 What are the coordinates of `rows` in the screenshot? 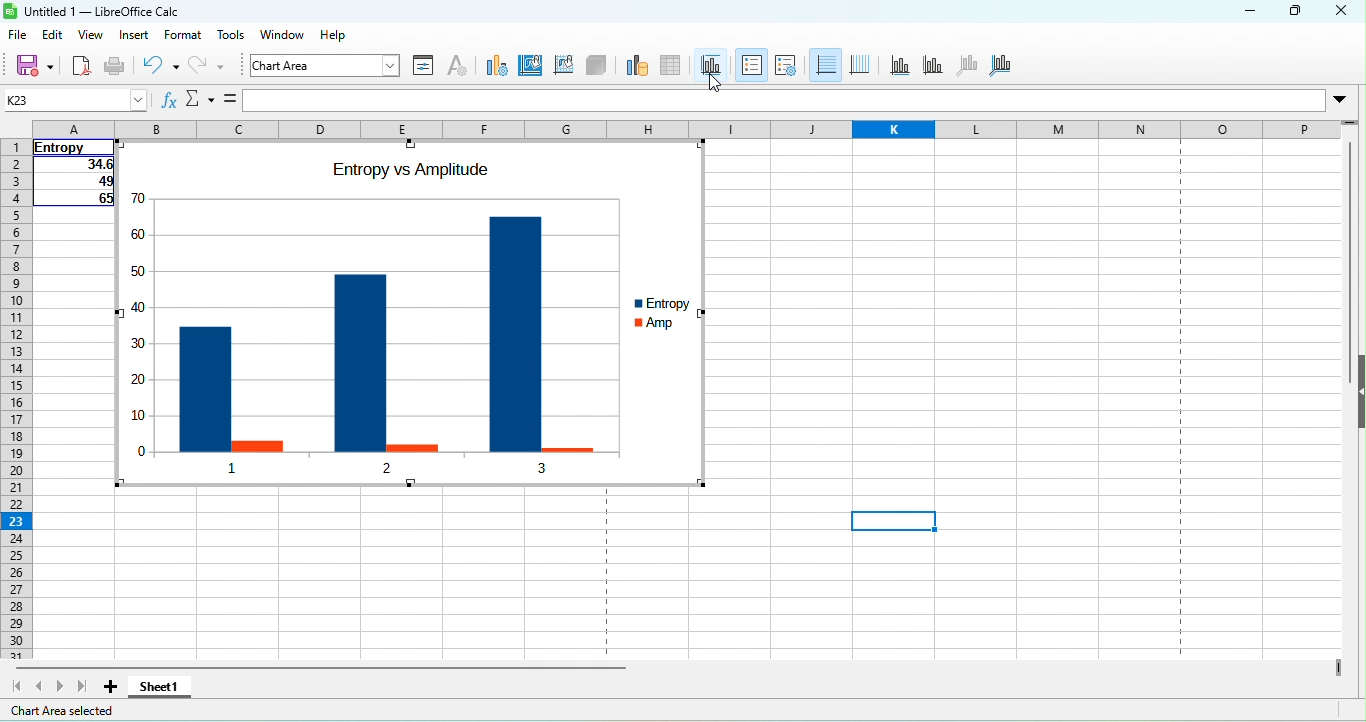 It's located at (14, 401).